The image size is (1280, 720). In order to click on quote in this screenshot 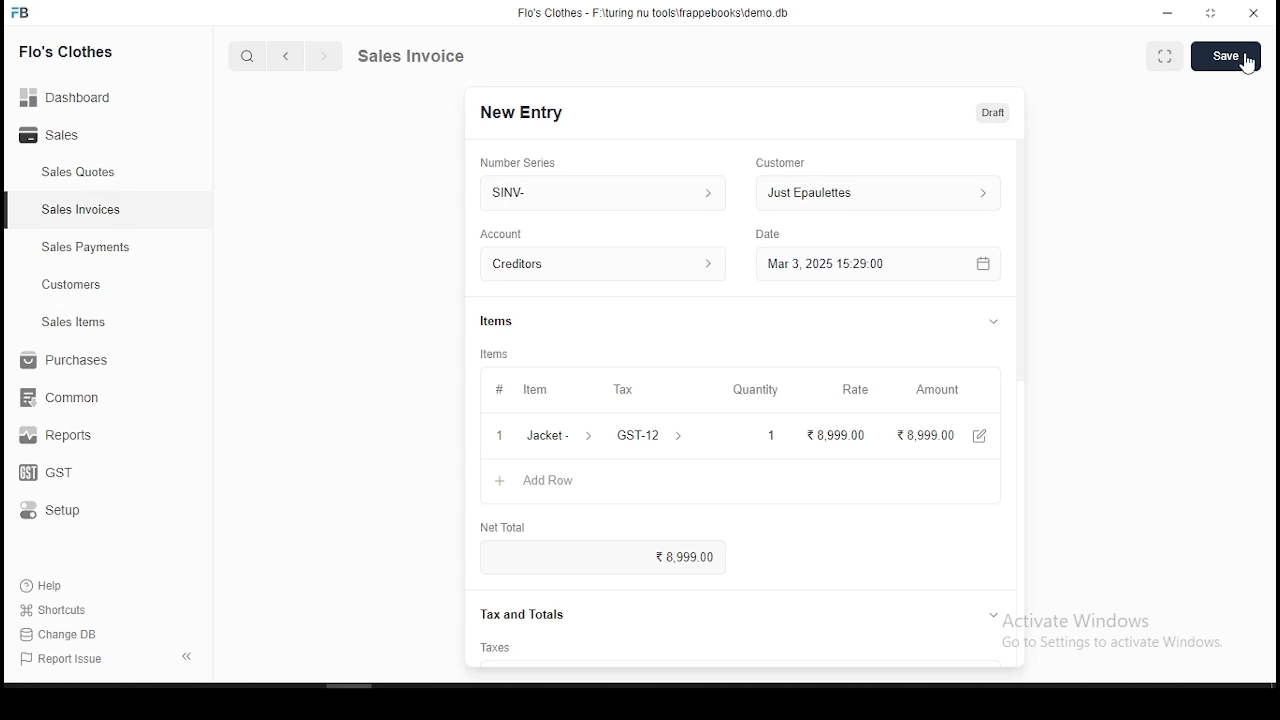, I will do `click(407, 56)`.